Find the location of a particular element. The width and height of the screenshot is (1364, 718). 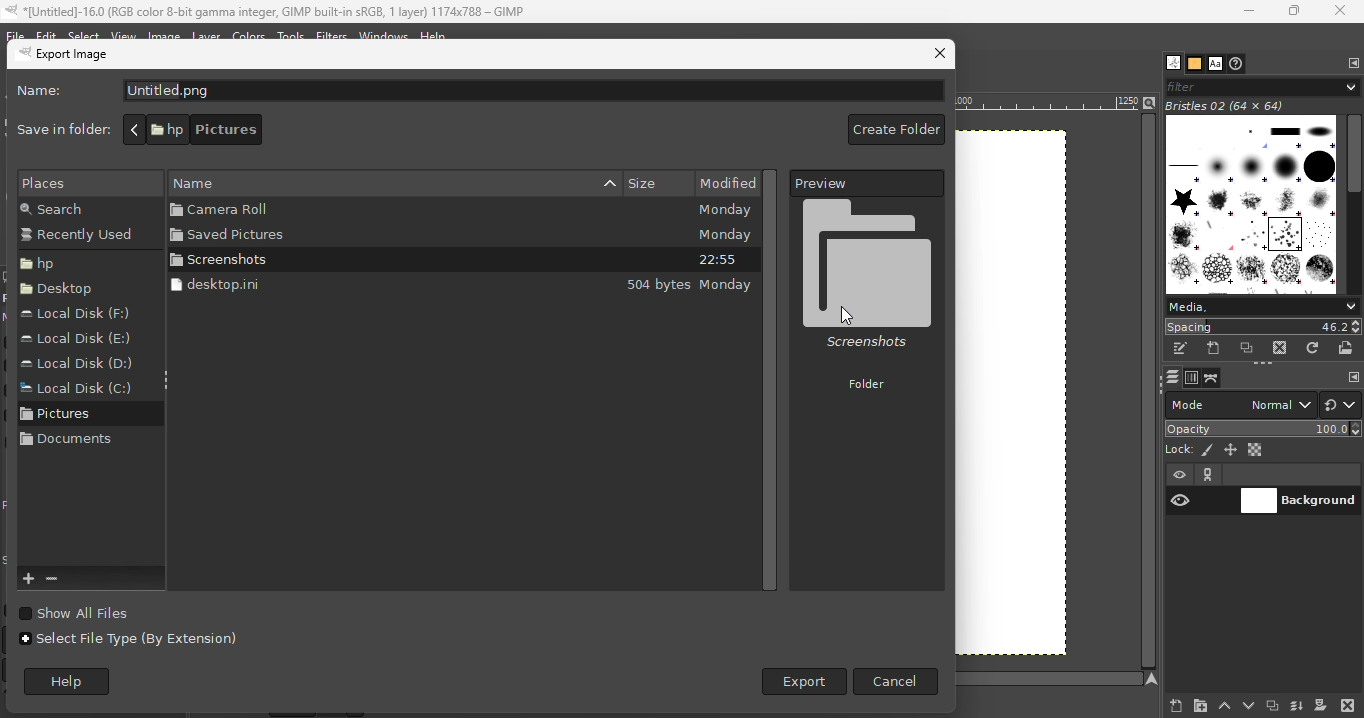

Pictures is located at coordinates (69, 418).